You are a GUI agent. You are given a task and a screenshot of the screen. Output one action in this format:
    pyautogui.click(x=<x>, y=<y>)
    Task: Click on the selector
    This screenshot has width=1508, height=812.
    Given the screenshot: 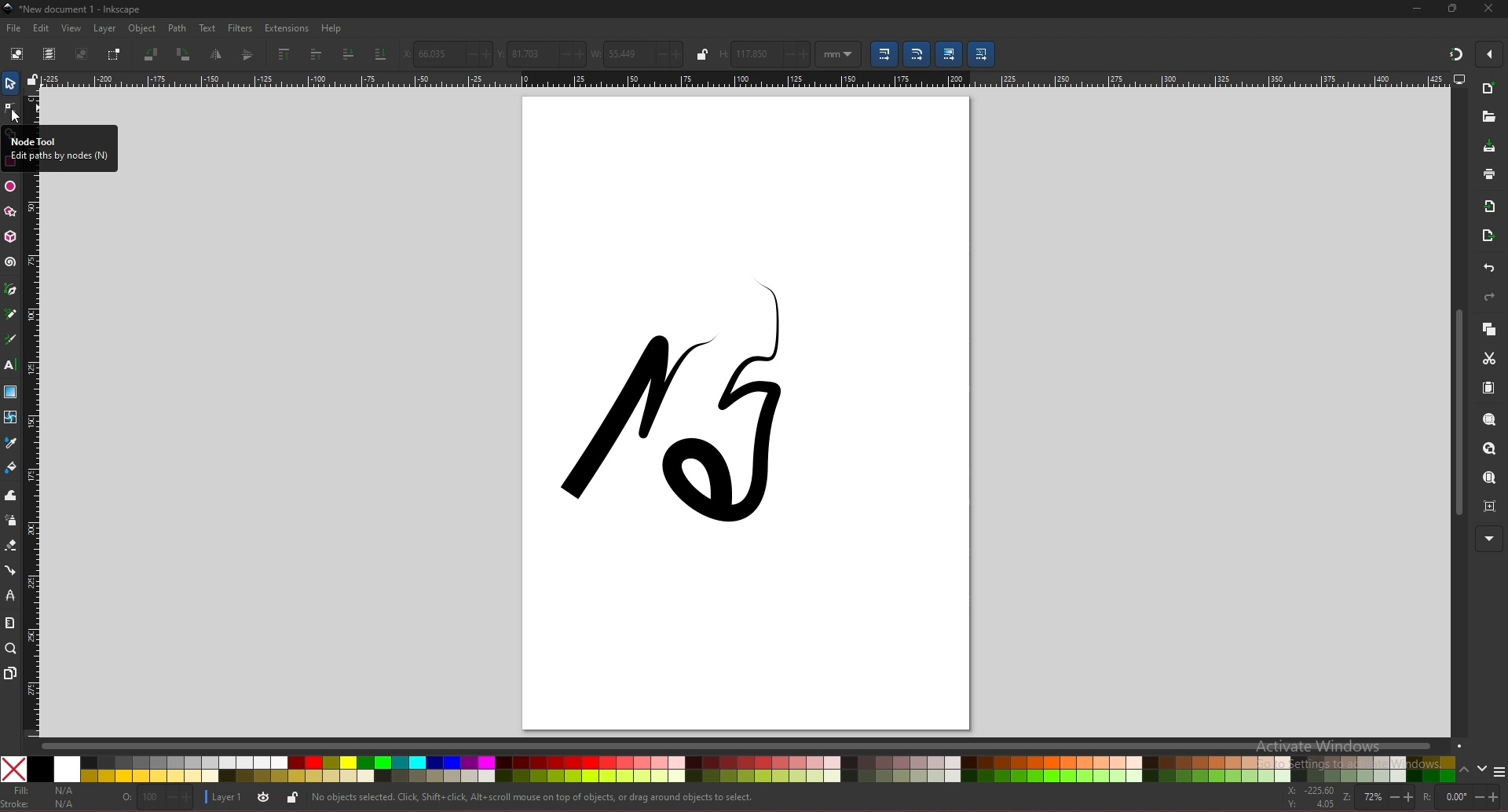 What is the action you would take?
    pyautogui.click(x=10, y=83)
    